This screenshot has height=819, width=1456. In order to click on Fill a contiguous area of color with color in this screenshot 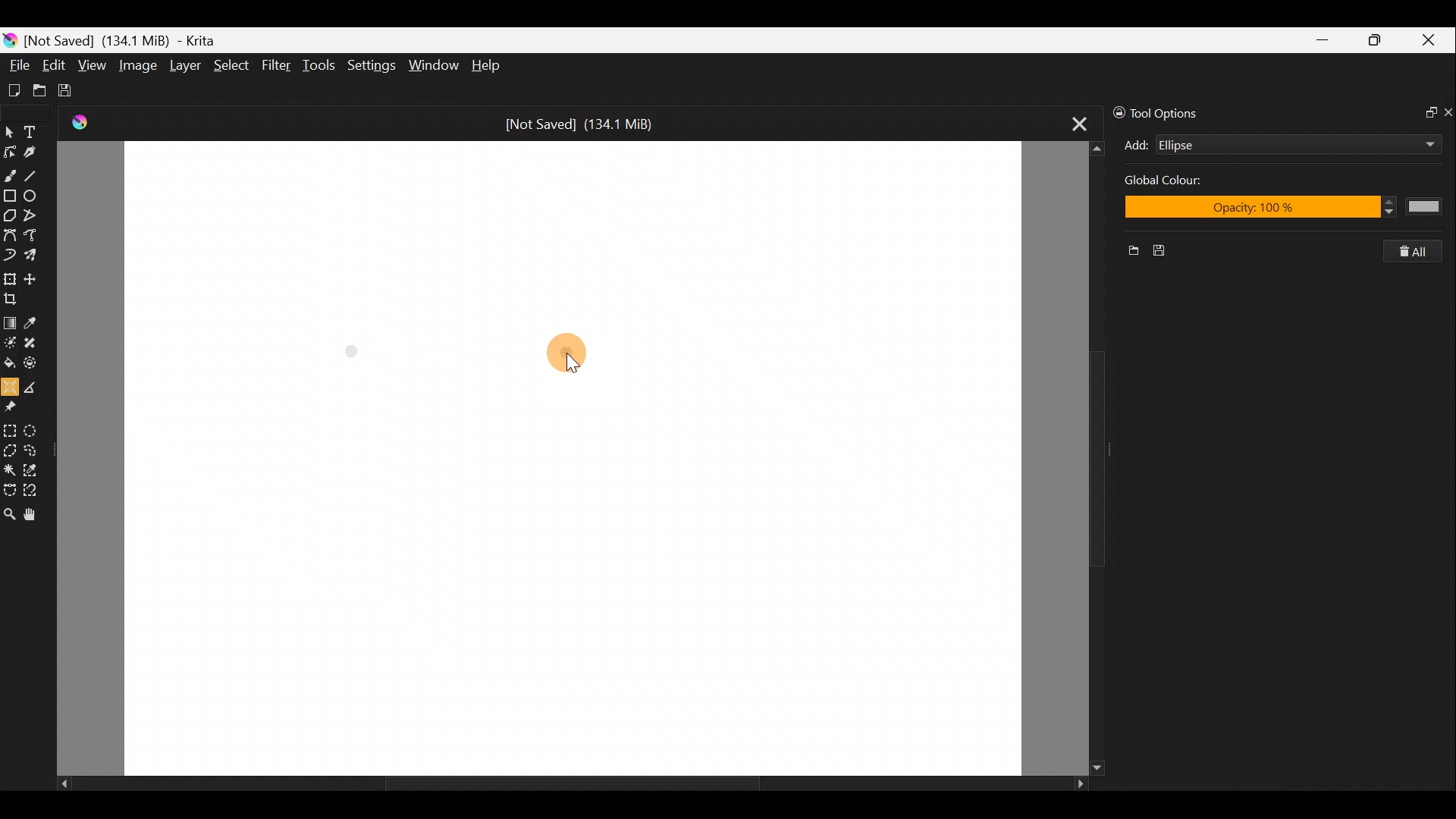, I will do `click(9, 363)`.